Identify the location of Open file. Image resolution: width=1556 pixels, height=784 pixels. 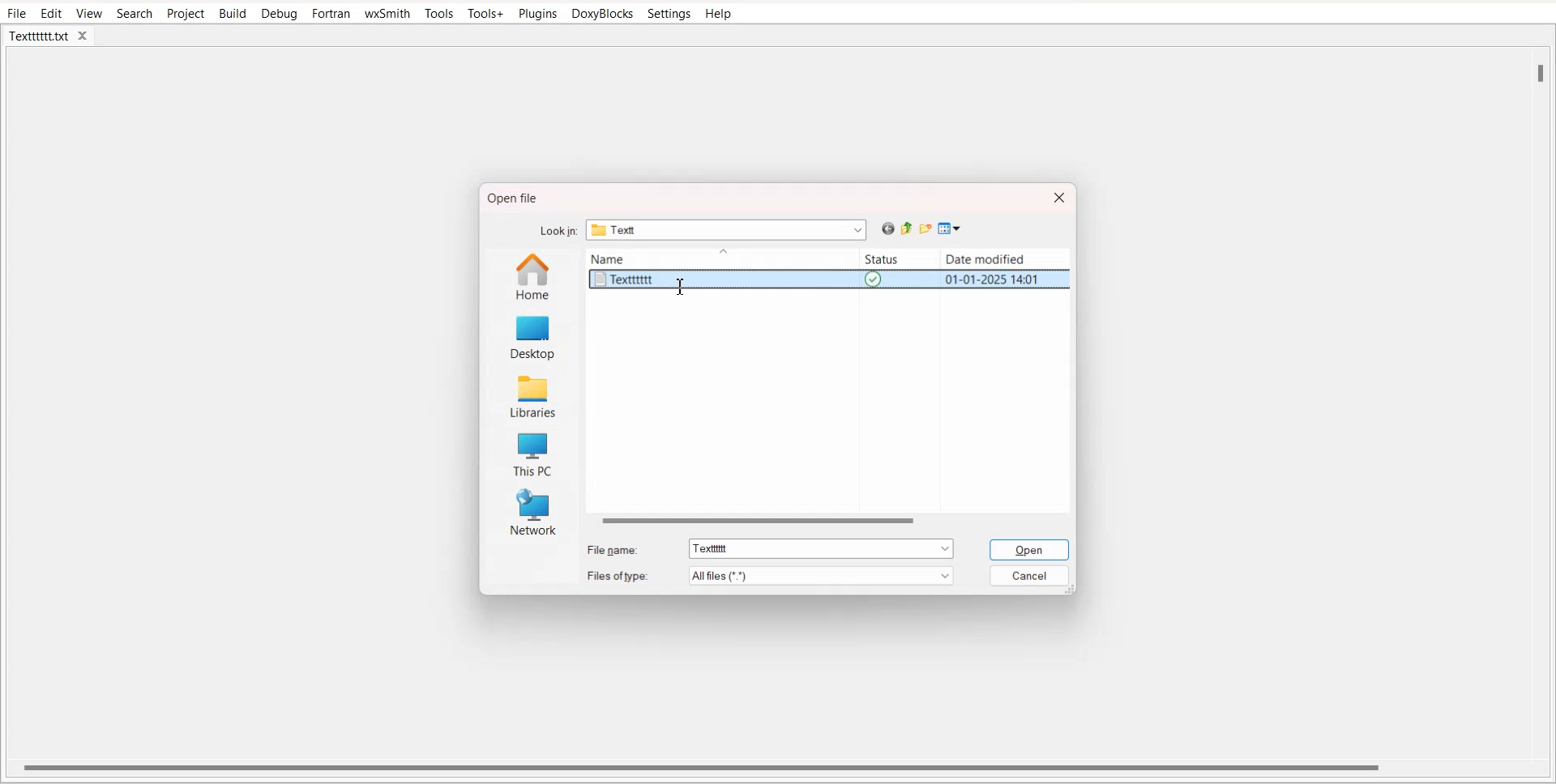
(526, 196).